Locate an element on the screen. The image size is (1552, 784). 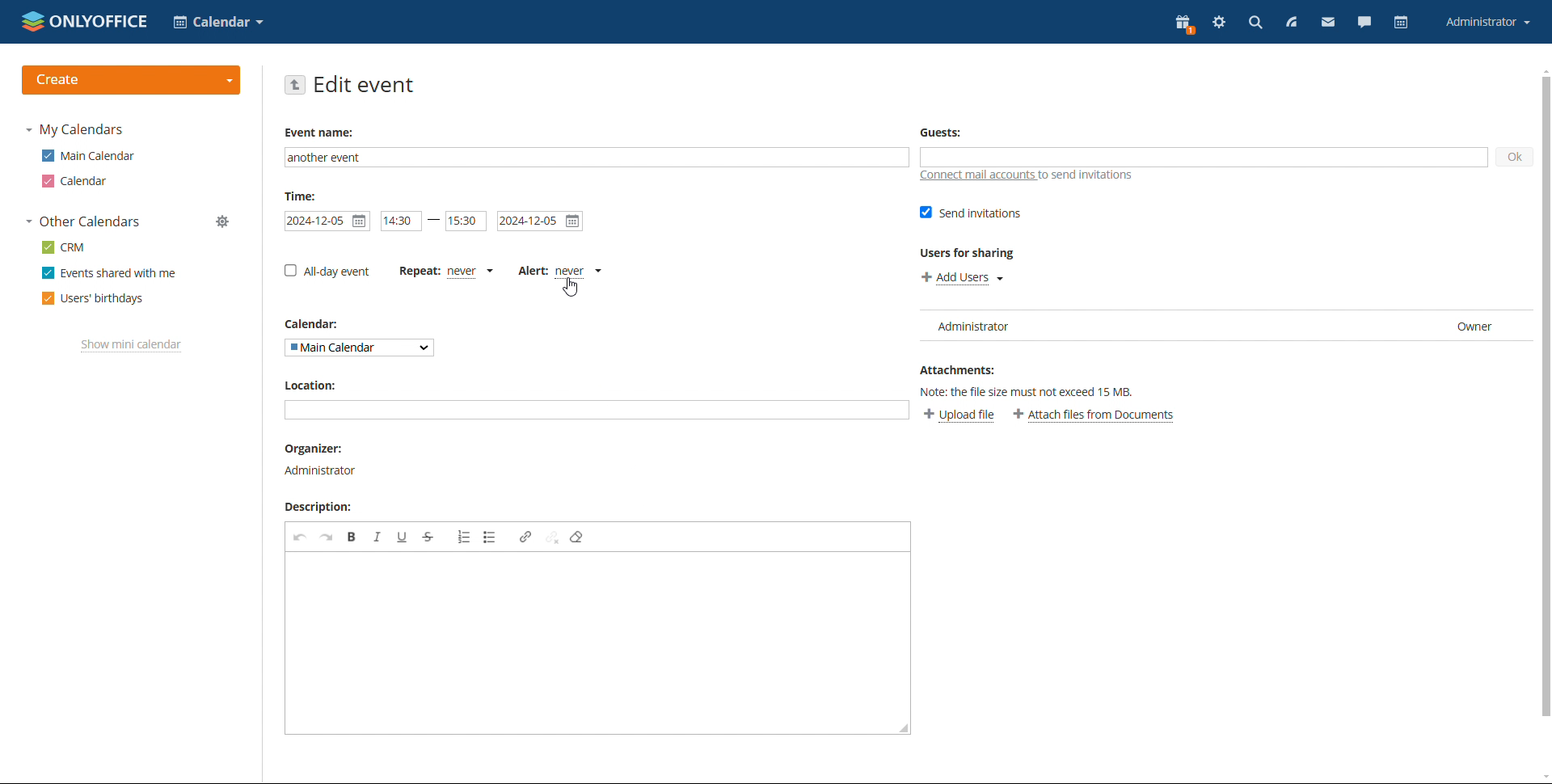
unlink is located at coordinates (552, 537).